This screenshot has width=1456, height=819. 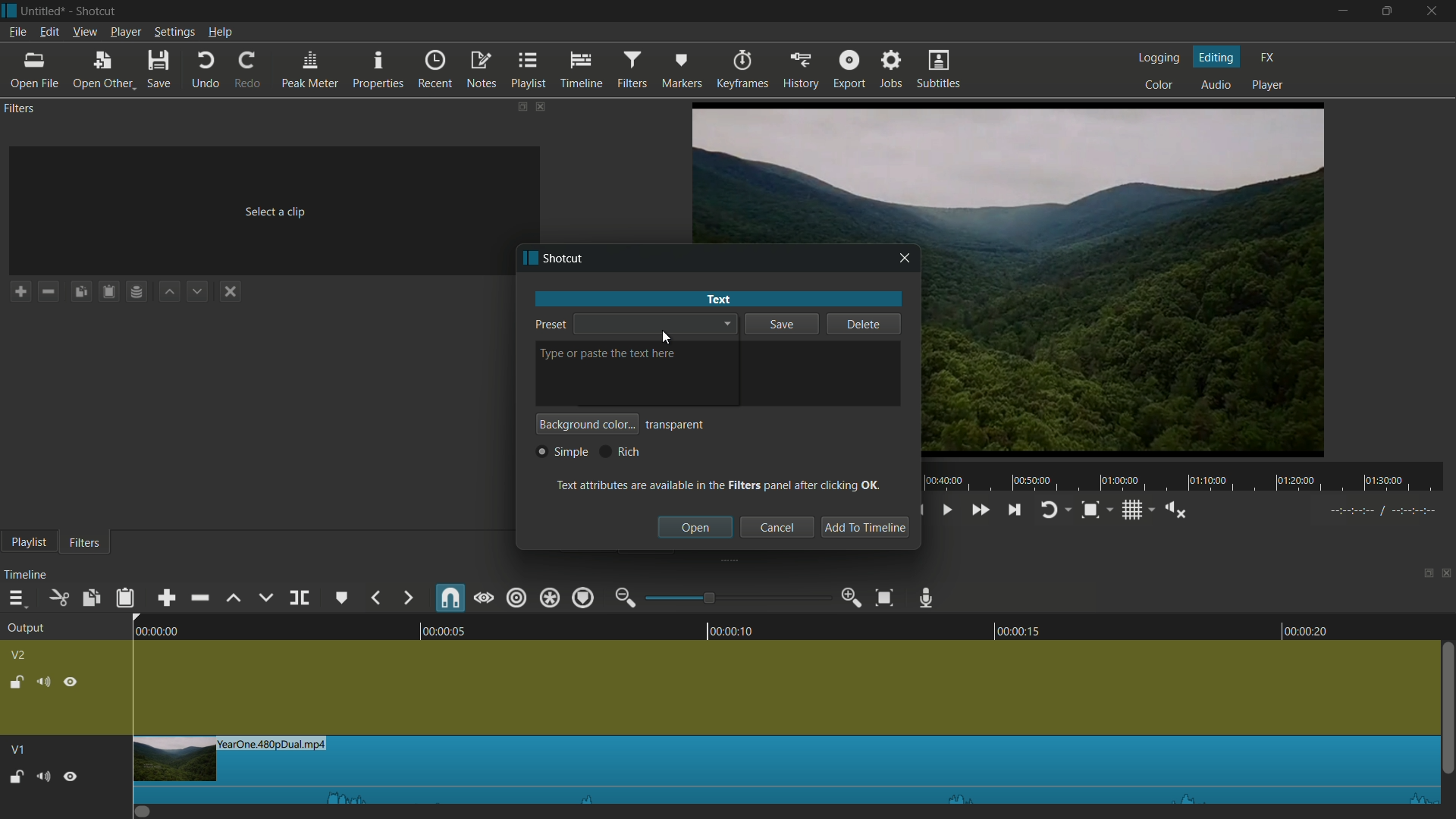 I want to click on mute, so click(x=42, y=681).